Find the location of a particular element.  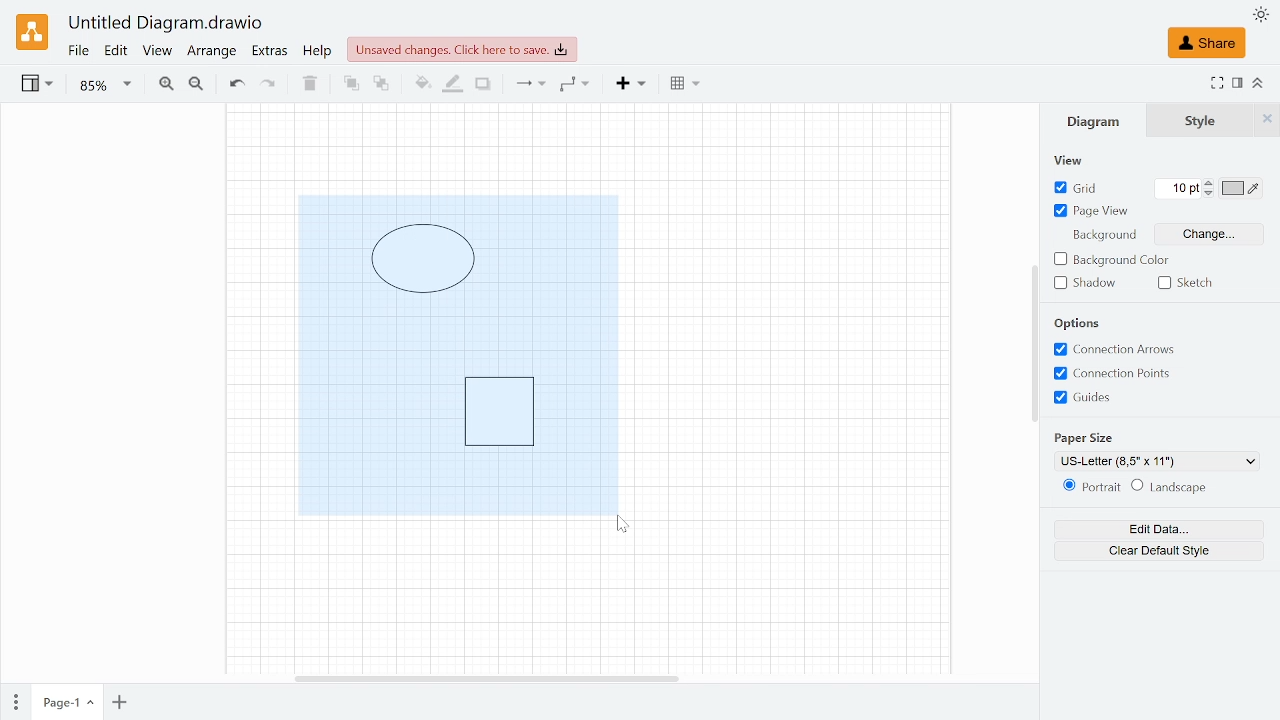

Insert is located at coordinates (632, 84).